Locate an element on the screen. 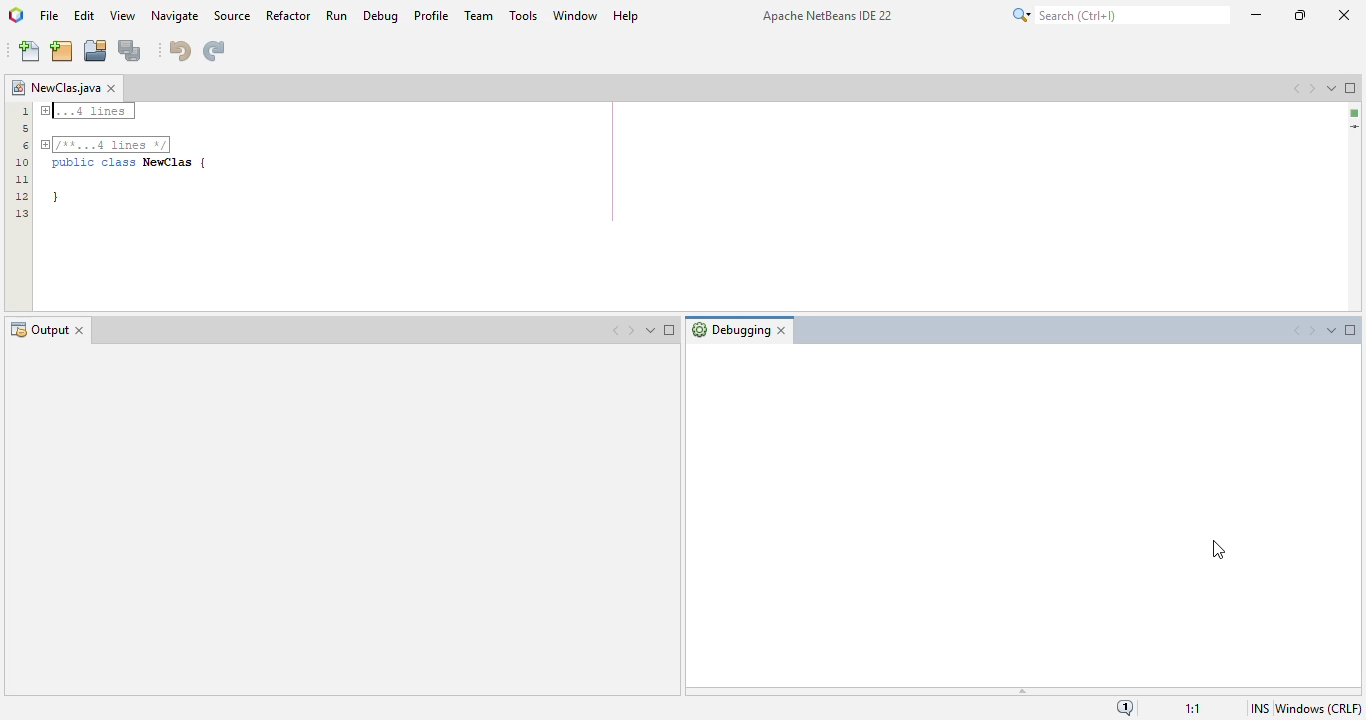 The image size is (1366, 720). source is located at coordinates (232, 15).